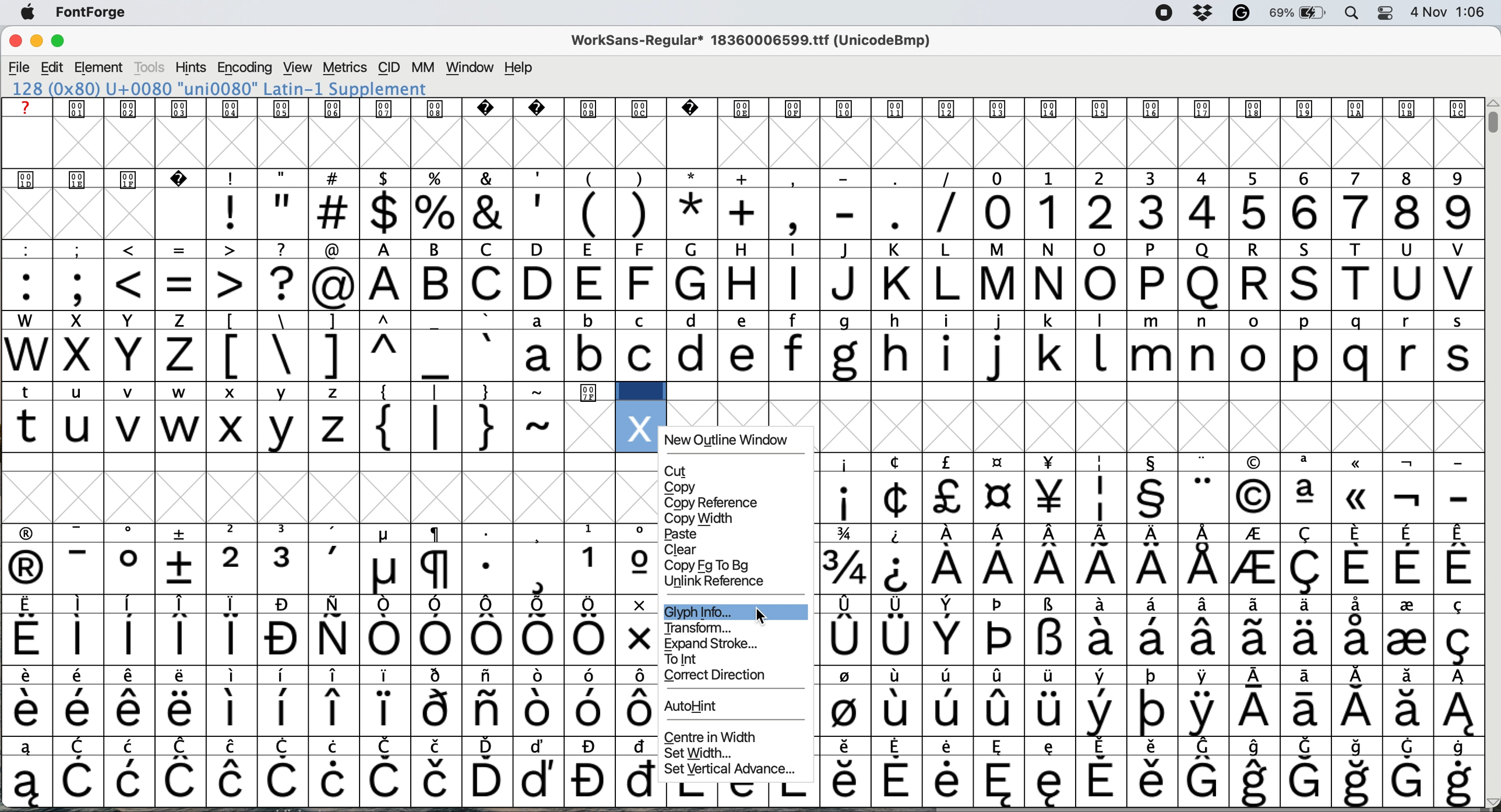 Image resolution: width=1501 pixels, height=812 pixels. What do you see at coordinates (588, 213) in the screenshot?
I see `special characters` at bounding box center [588, 213].